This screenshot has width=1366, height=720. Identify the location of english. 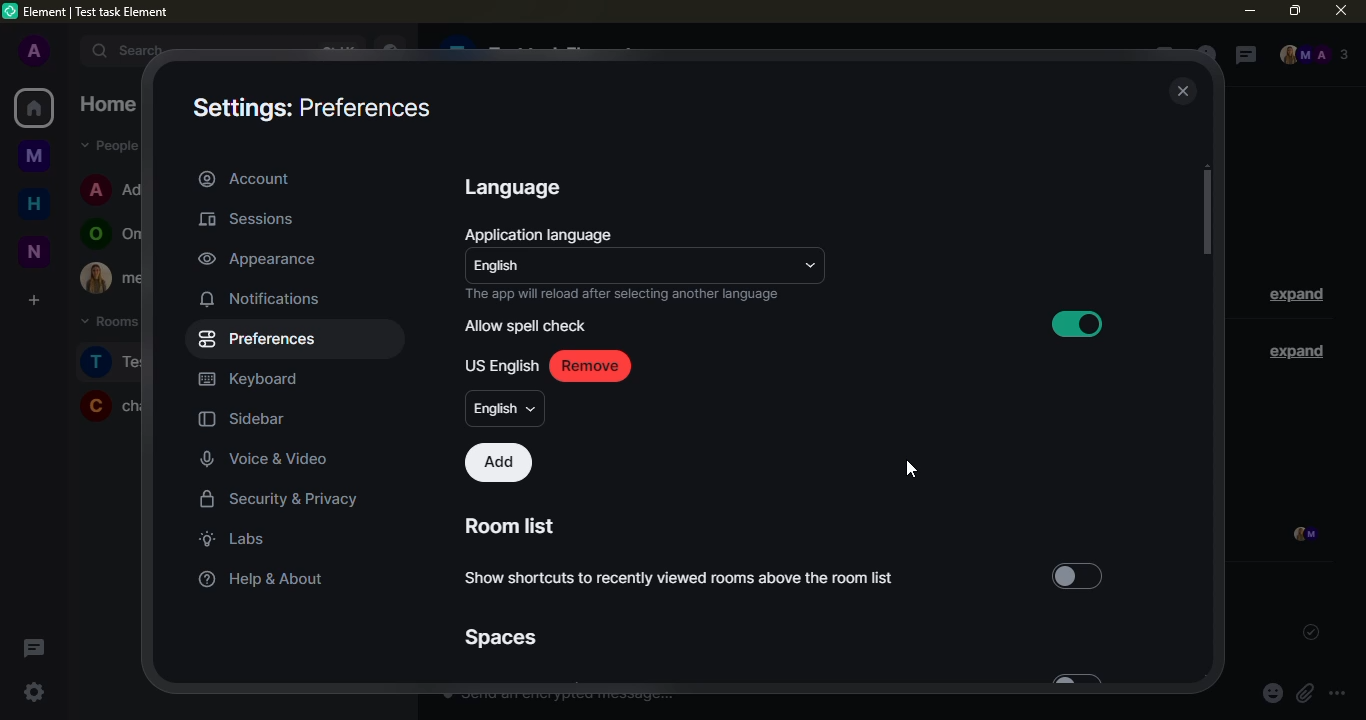
(503, 267).